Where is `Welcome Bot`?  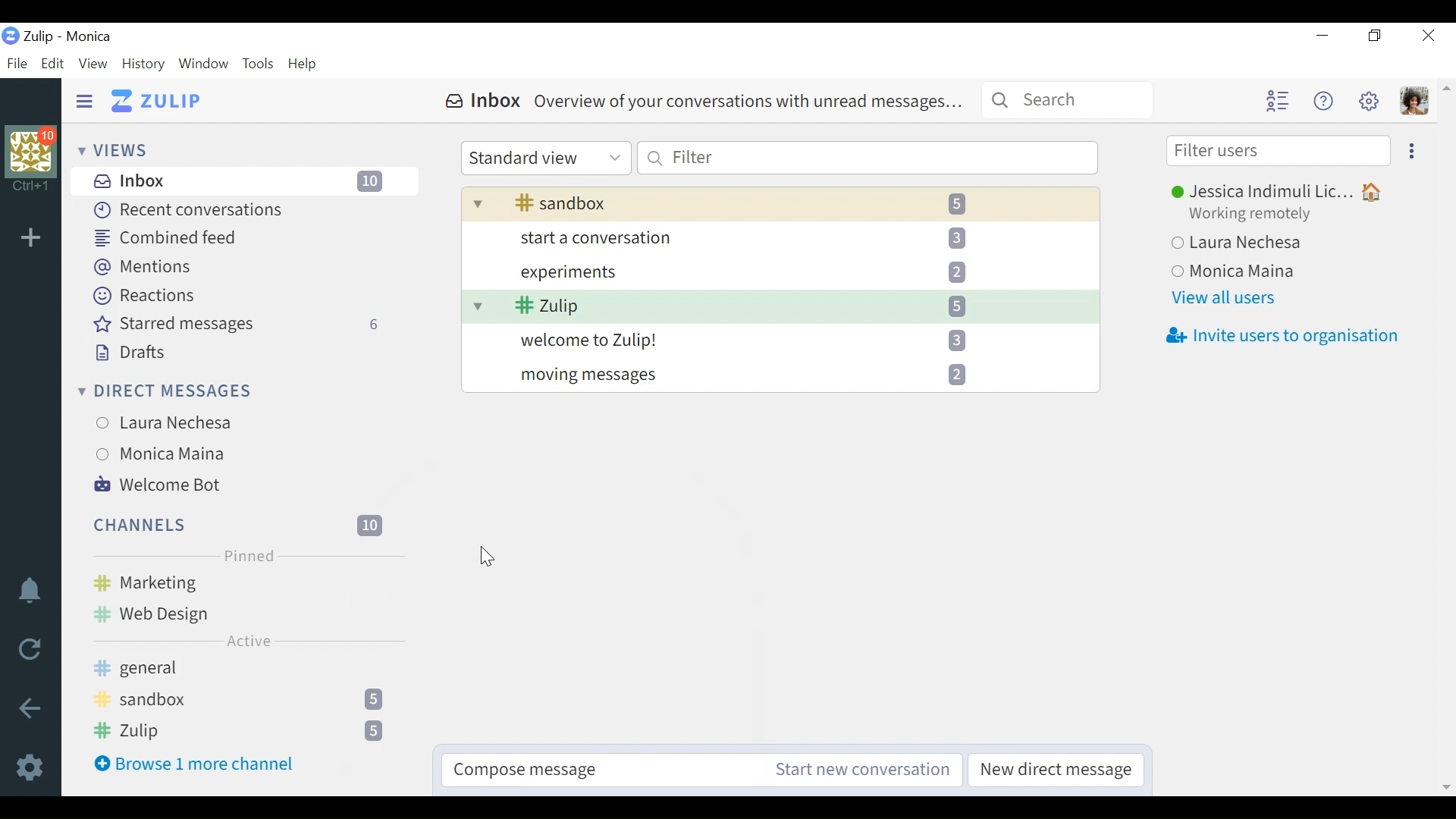 Welcome Bot is located at coordinates (161, 483).